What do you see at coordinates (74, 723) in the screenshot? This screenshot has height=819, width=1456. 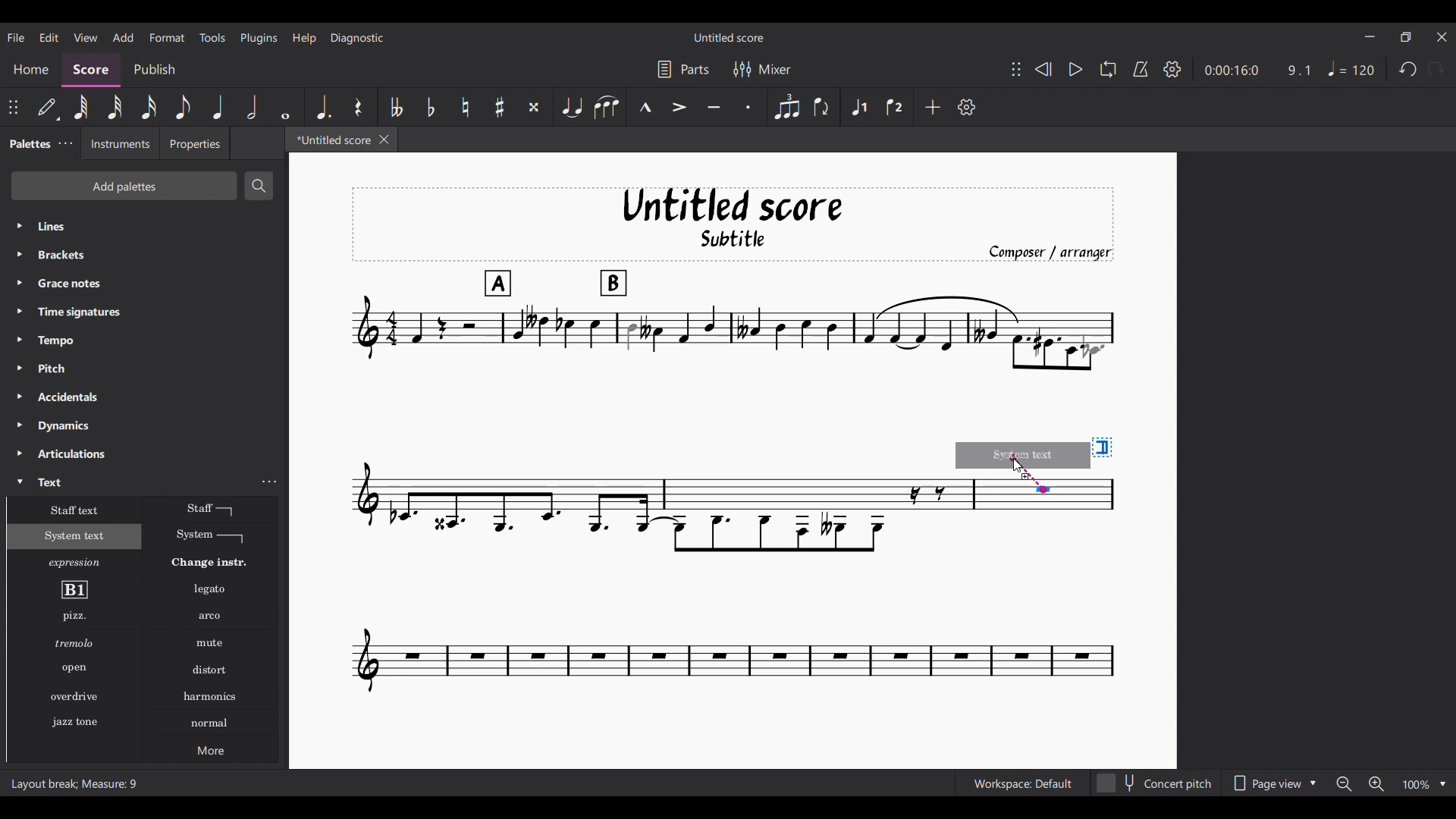 I see `Jazz stone` at bounding box center [74, 723].